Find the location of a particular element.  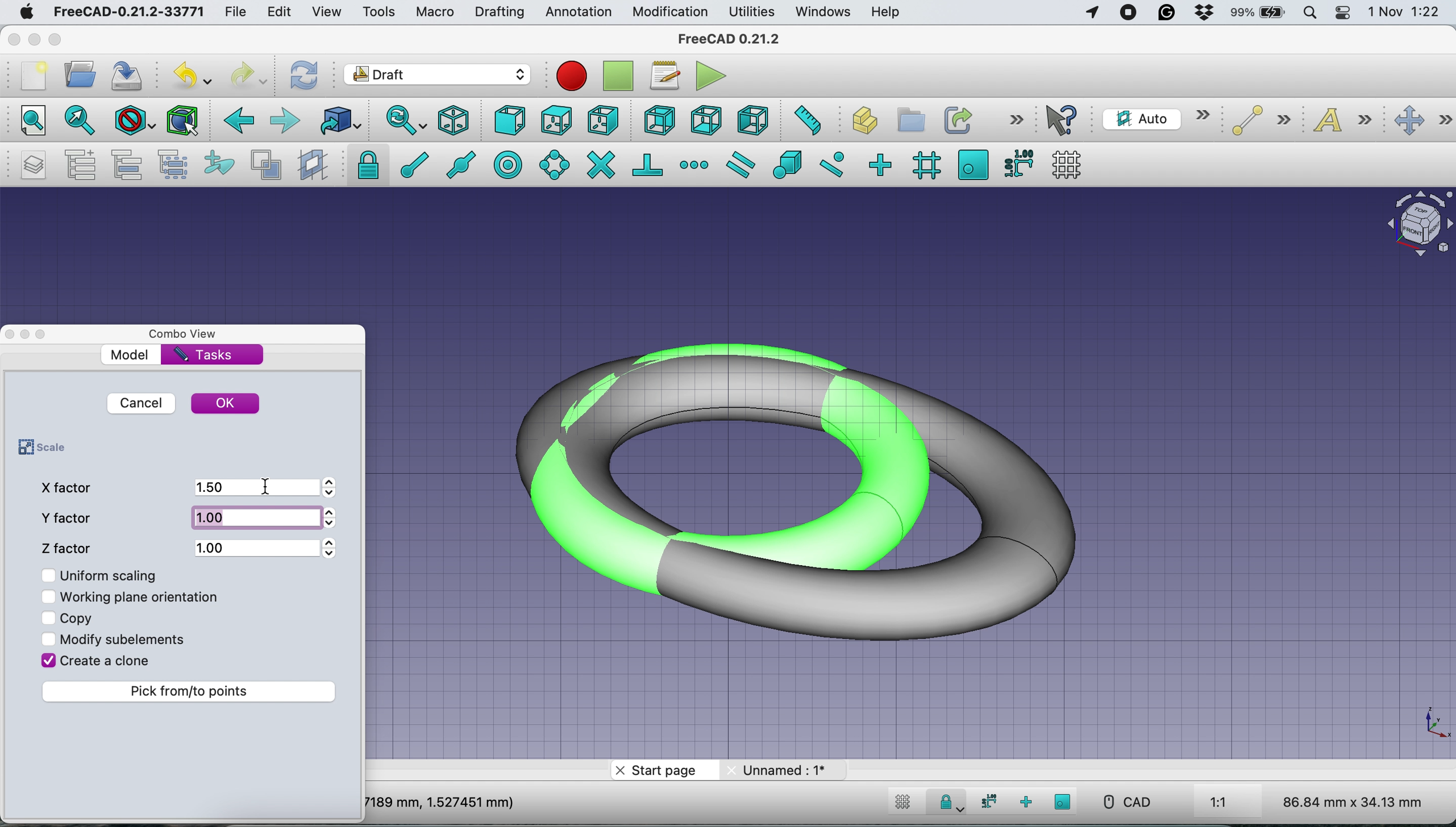

Scaled Torus is located at coordinates (808, 491).